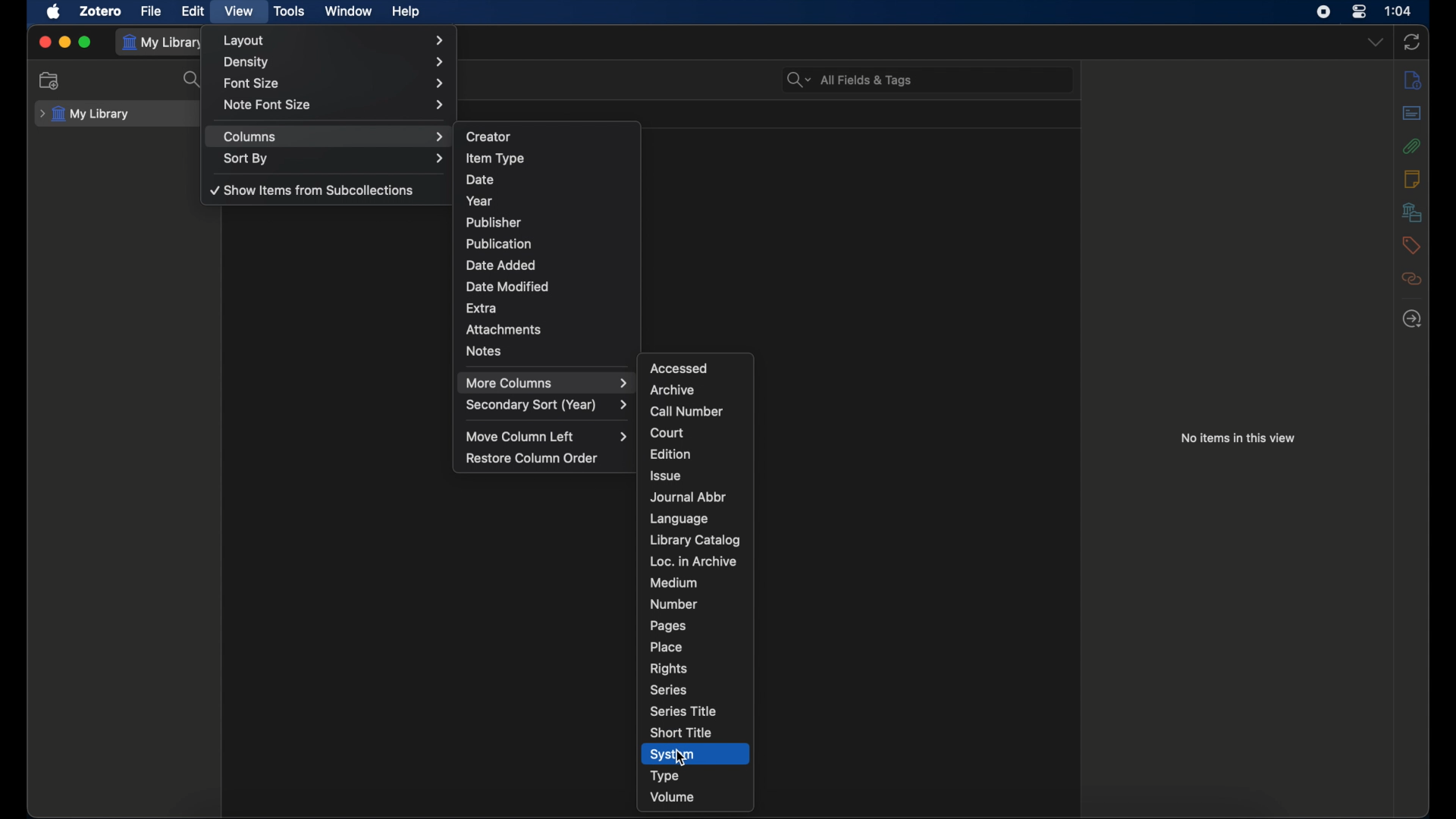 This screenshot has width=1456, height=819. Describe the element at coordinates (313, 190) in the screenshot. I see `show items from subollections` at that location.